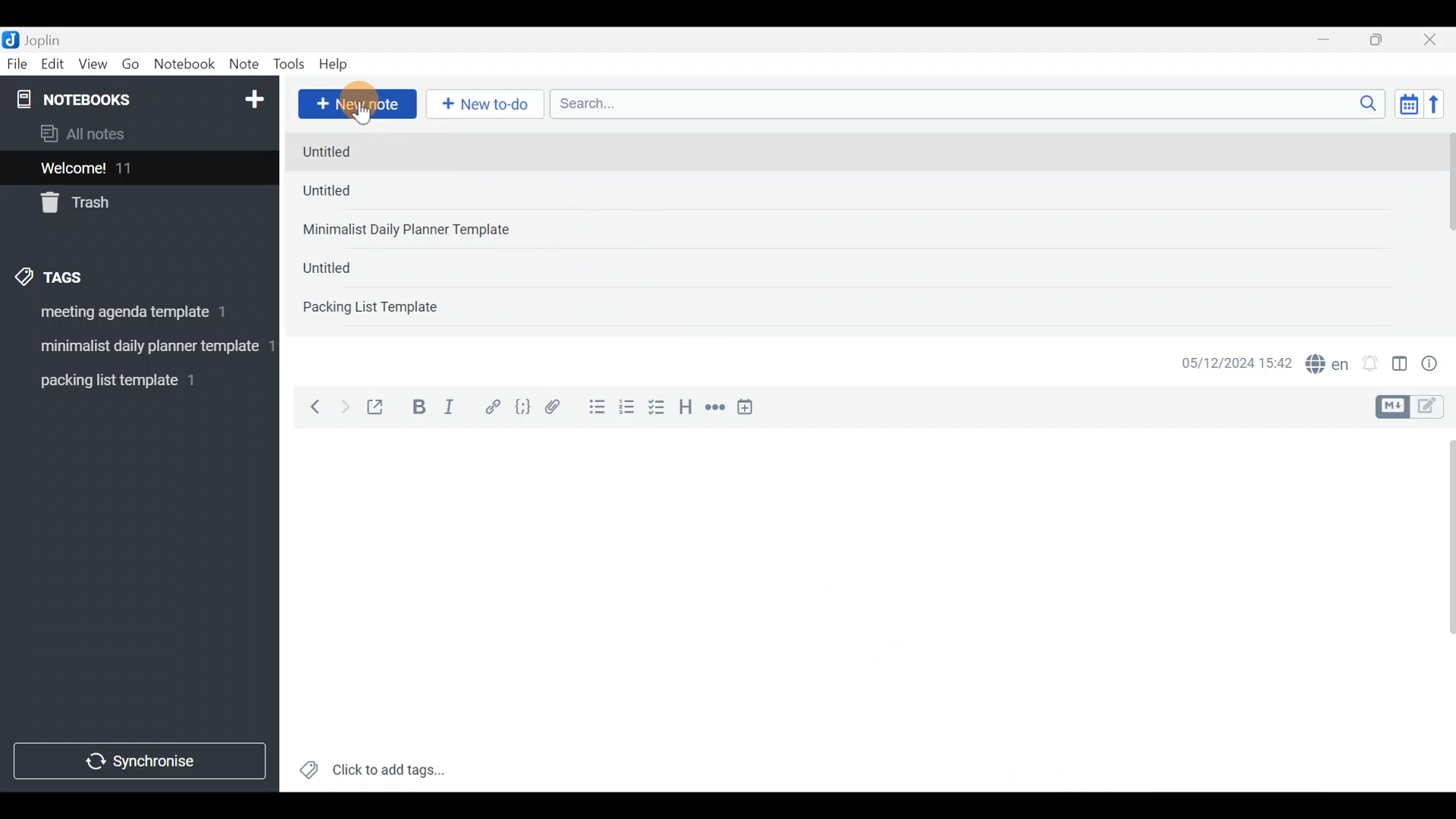 The height and width of the screenshot is (819, 1456). I want to click on Notebooks, so click(107, 105).